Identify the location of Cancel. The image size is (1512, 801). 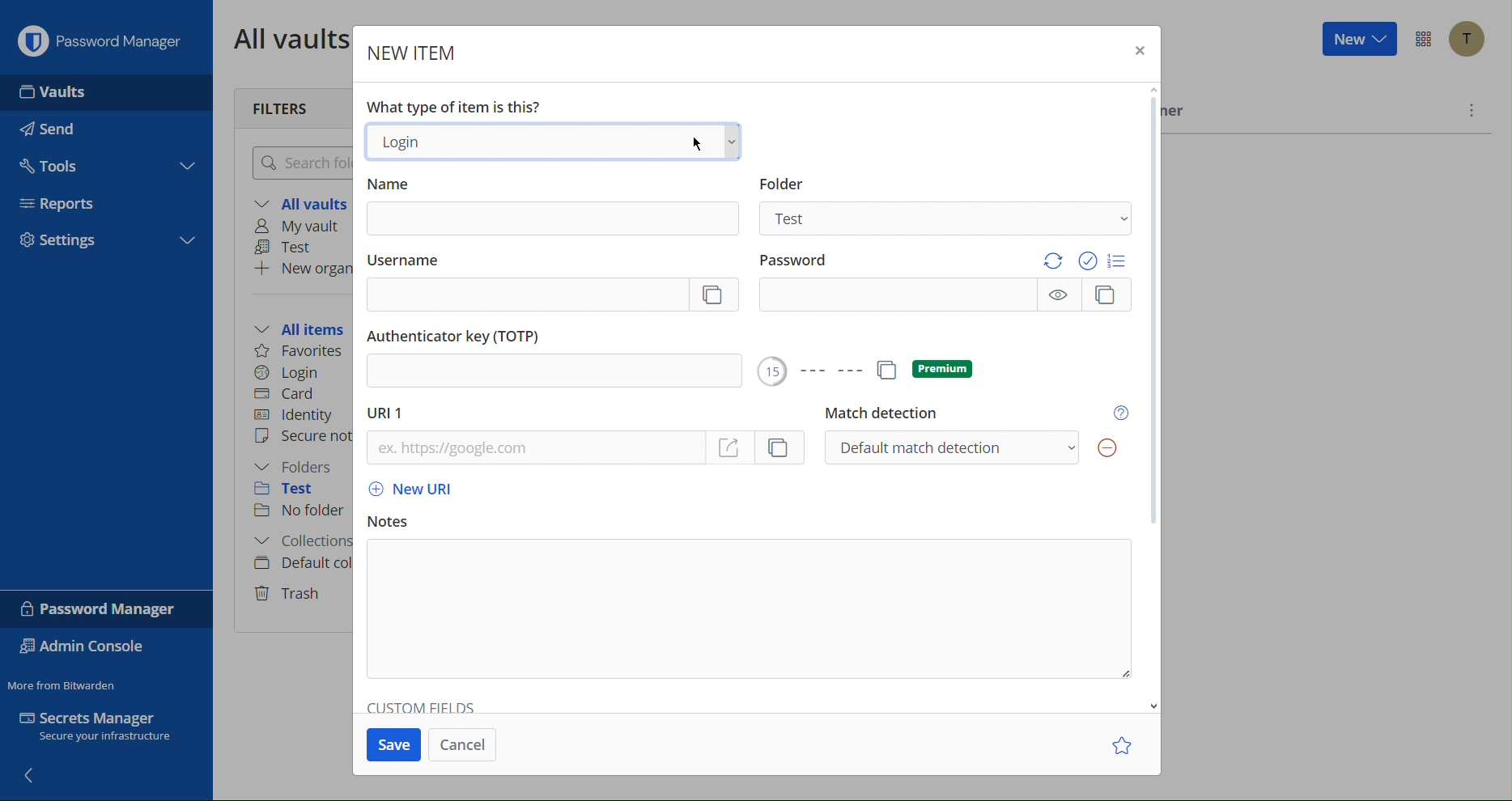
(462, 745).